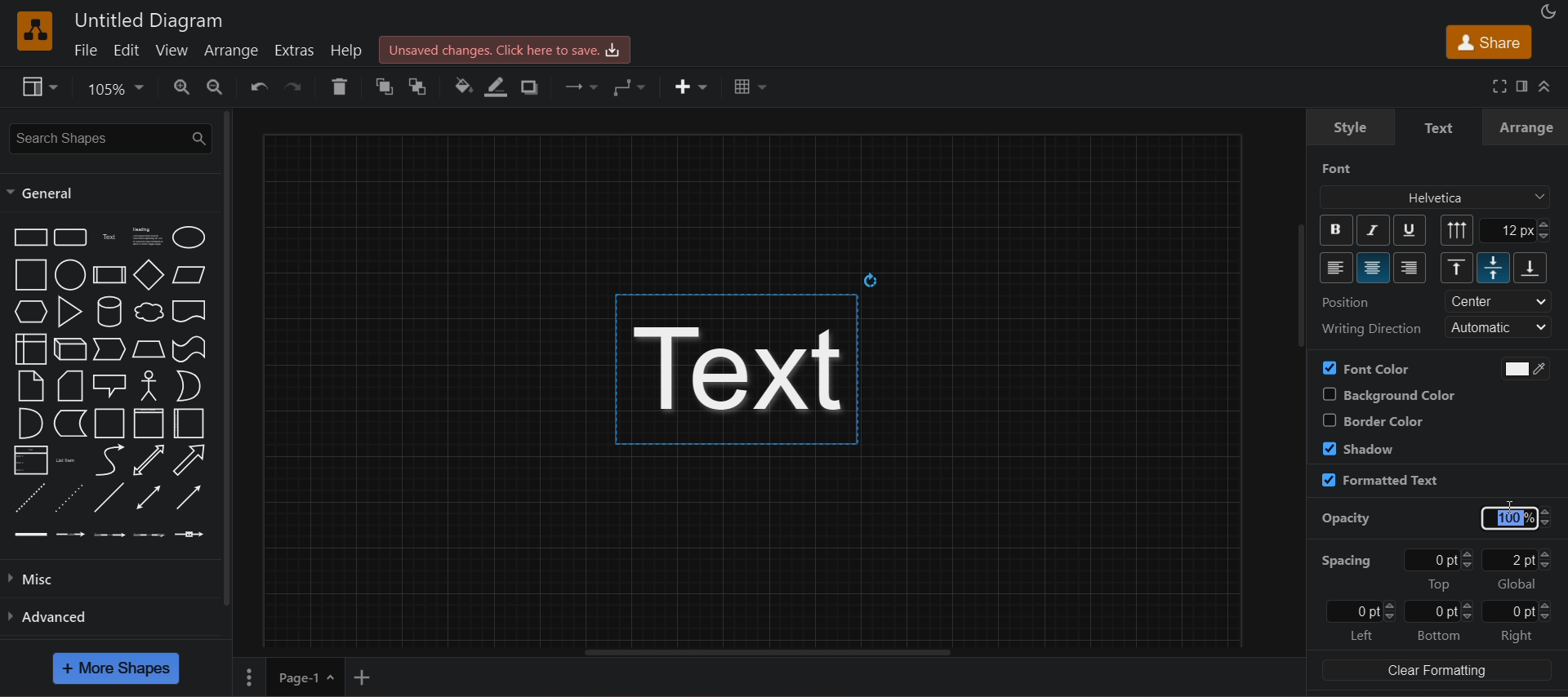 This screenshot has width=1568, height=697. What do you see at coordinates (31, 386) in the screenshot?
I see `note` at bounding box center [31, 386].